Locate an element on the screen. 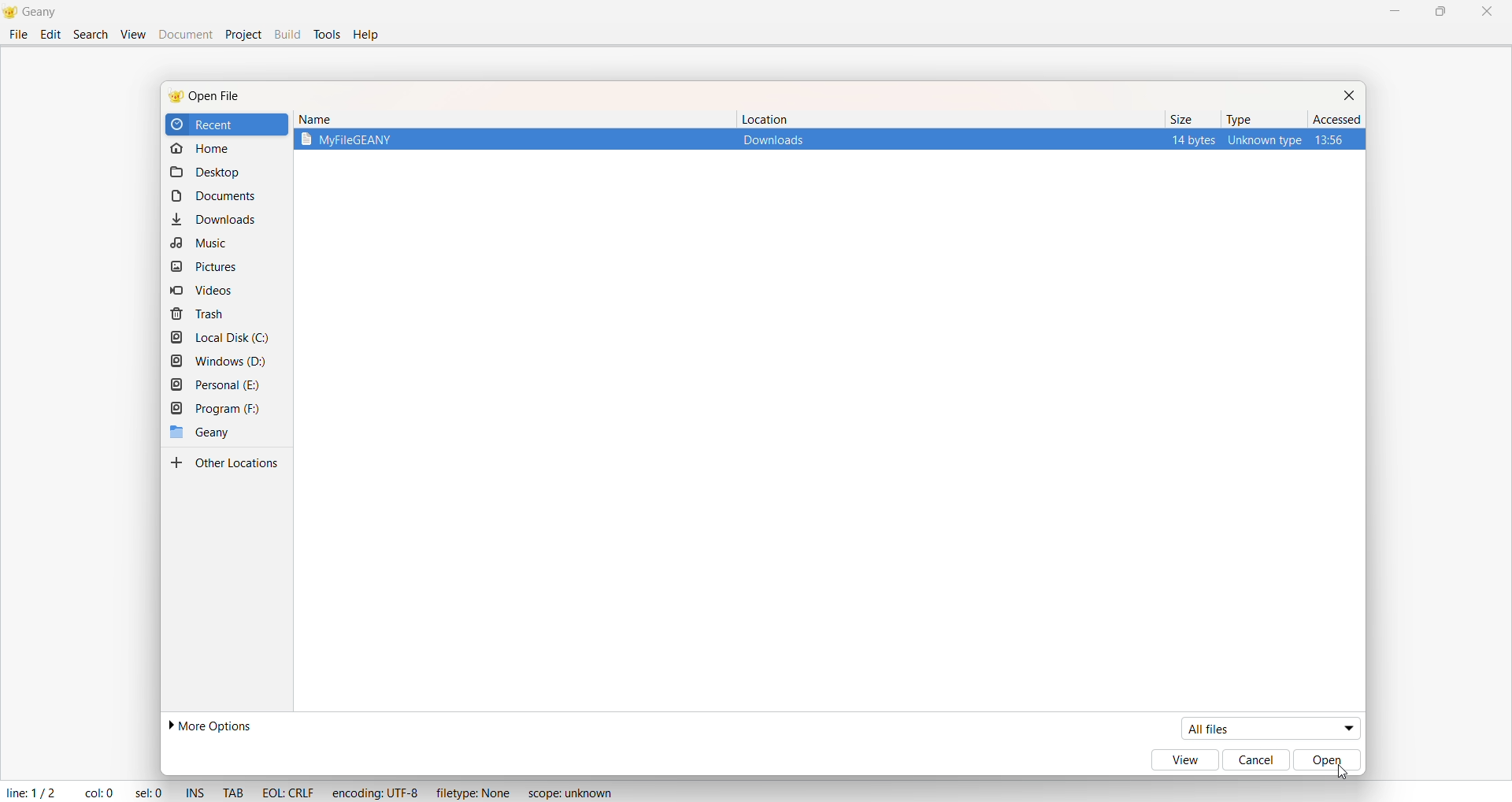 The width and height of the screenshot is (1512, 802). more options is located at coordinates (208, 725).